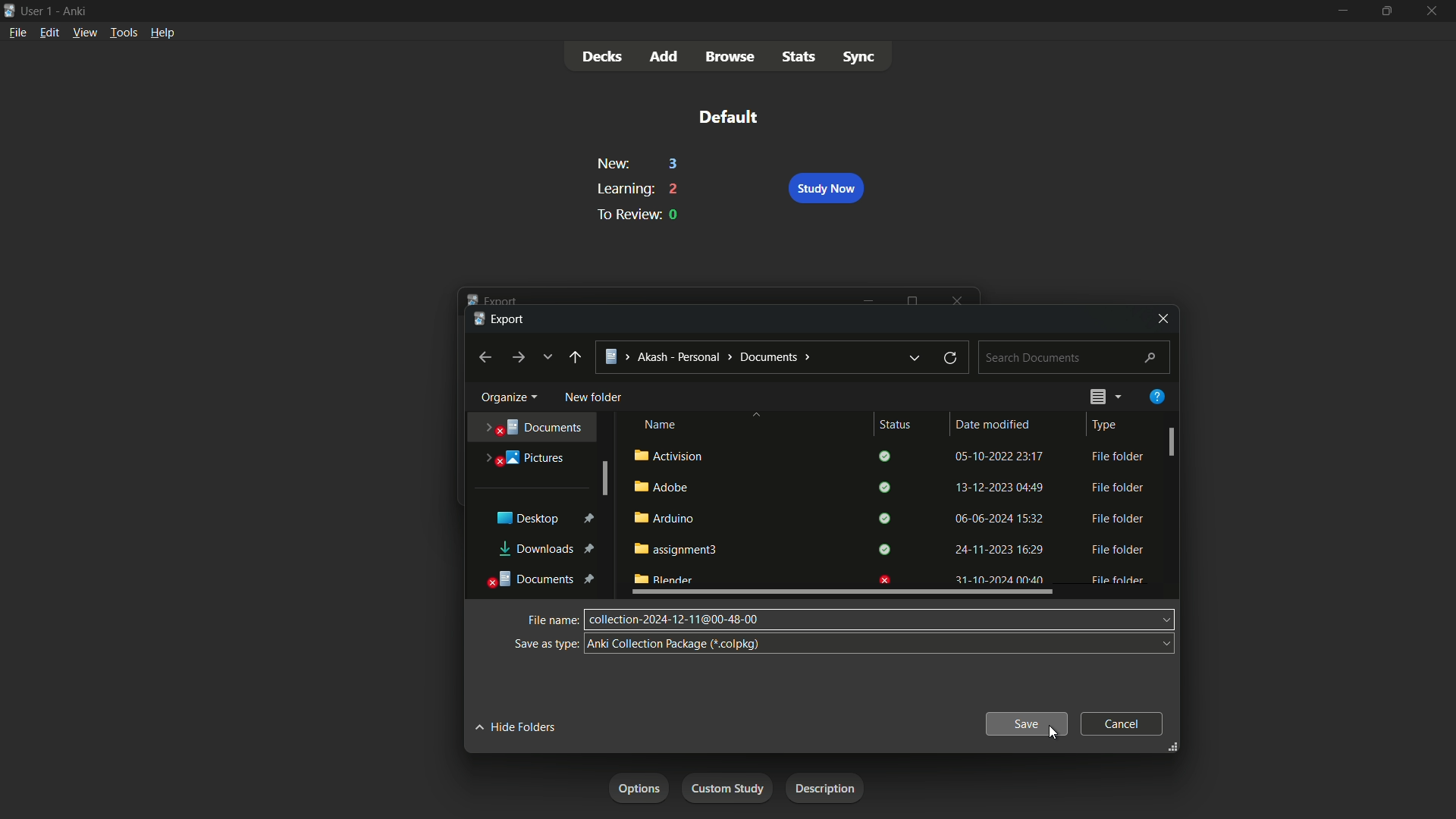  I want to click on get started, so click(640, 789).